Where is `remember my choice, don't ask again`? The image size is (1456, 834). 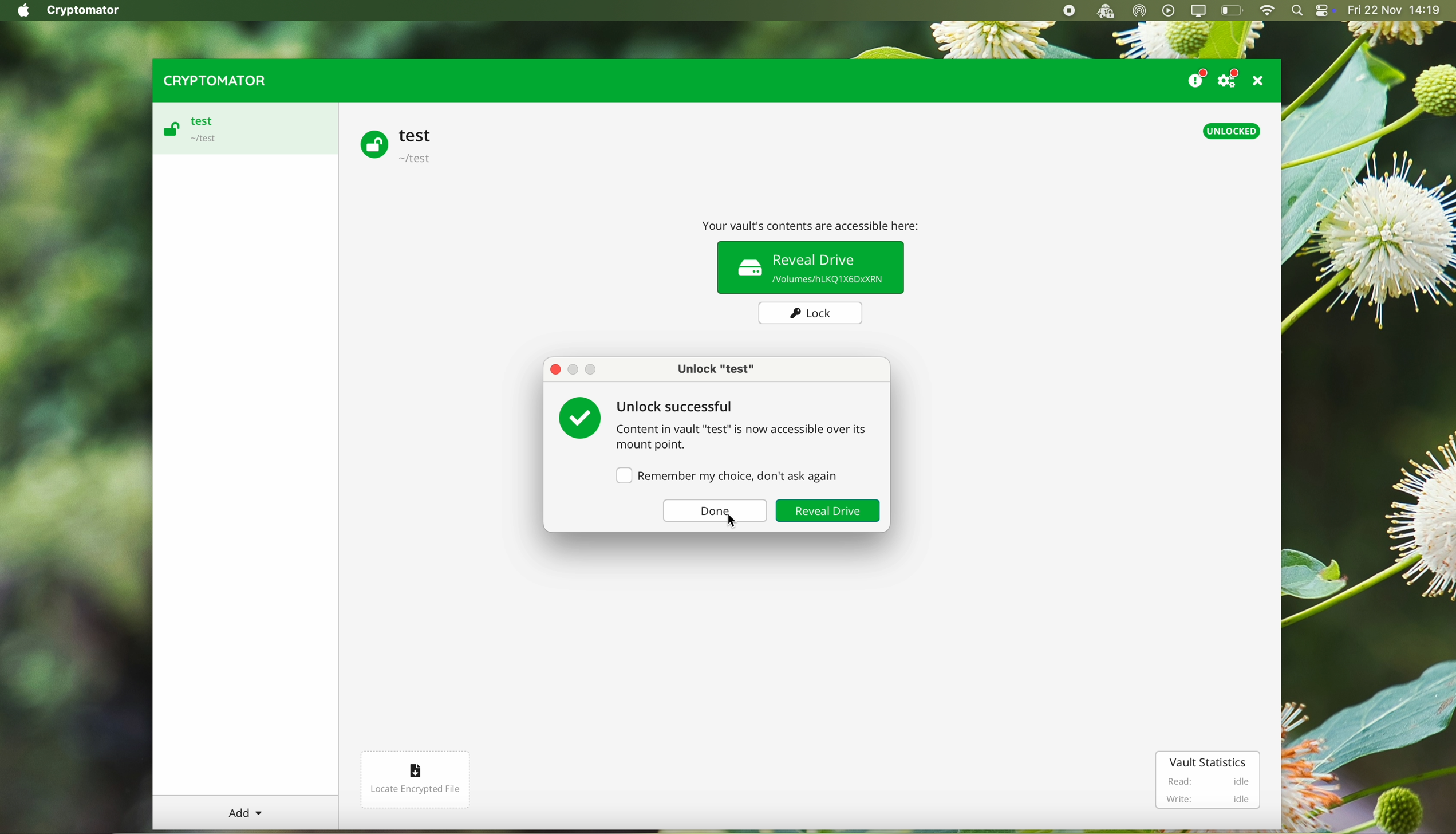 remember my choice, don't ask again is located at coordinates (730, 474).